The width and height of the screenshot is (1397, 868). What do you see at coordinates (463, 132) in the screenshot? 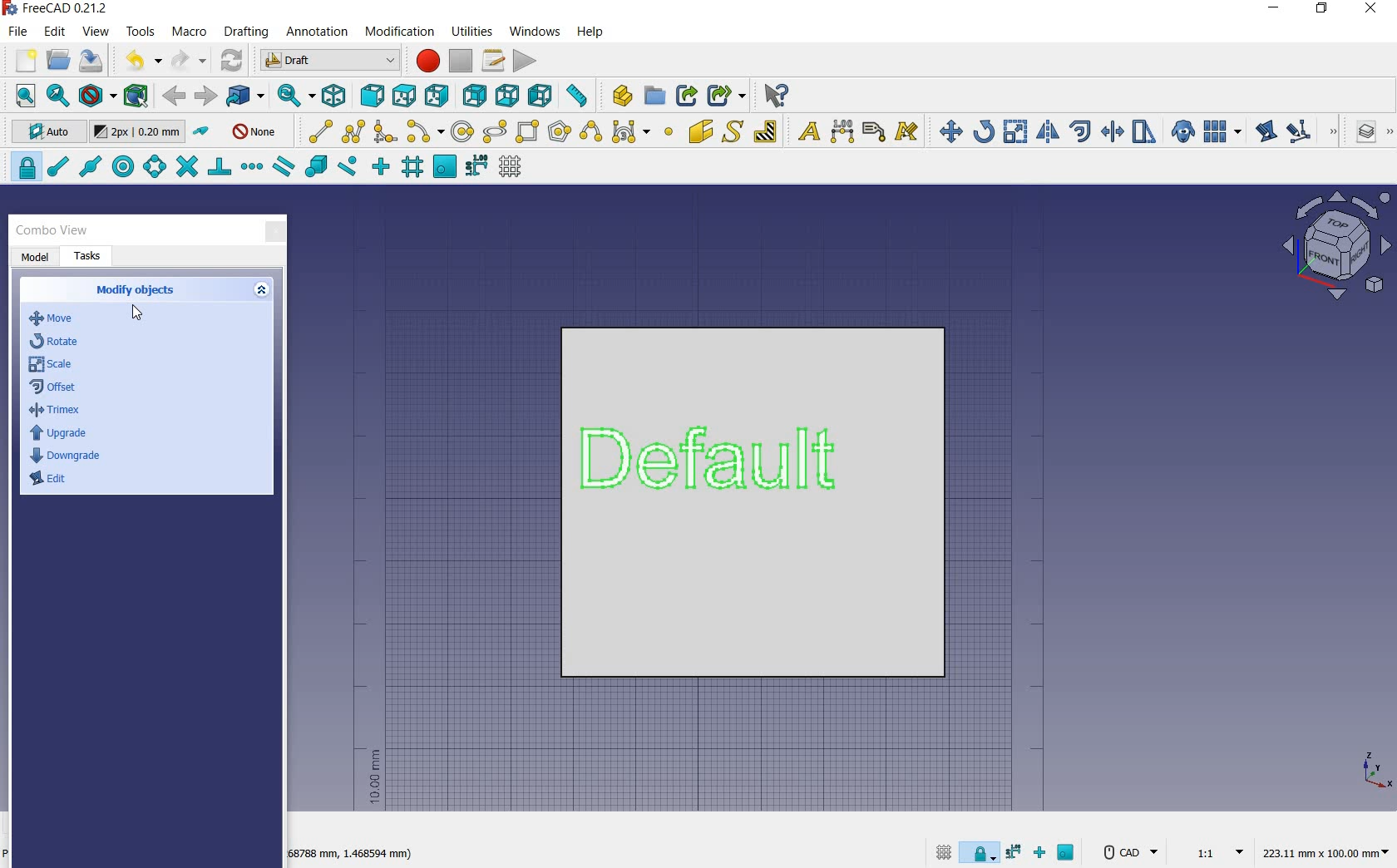
I see `circle` at bounding box center [463, 132].